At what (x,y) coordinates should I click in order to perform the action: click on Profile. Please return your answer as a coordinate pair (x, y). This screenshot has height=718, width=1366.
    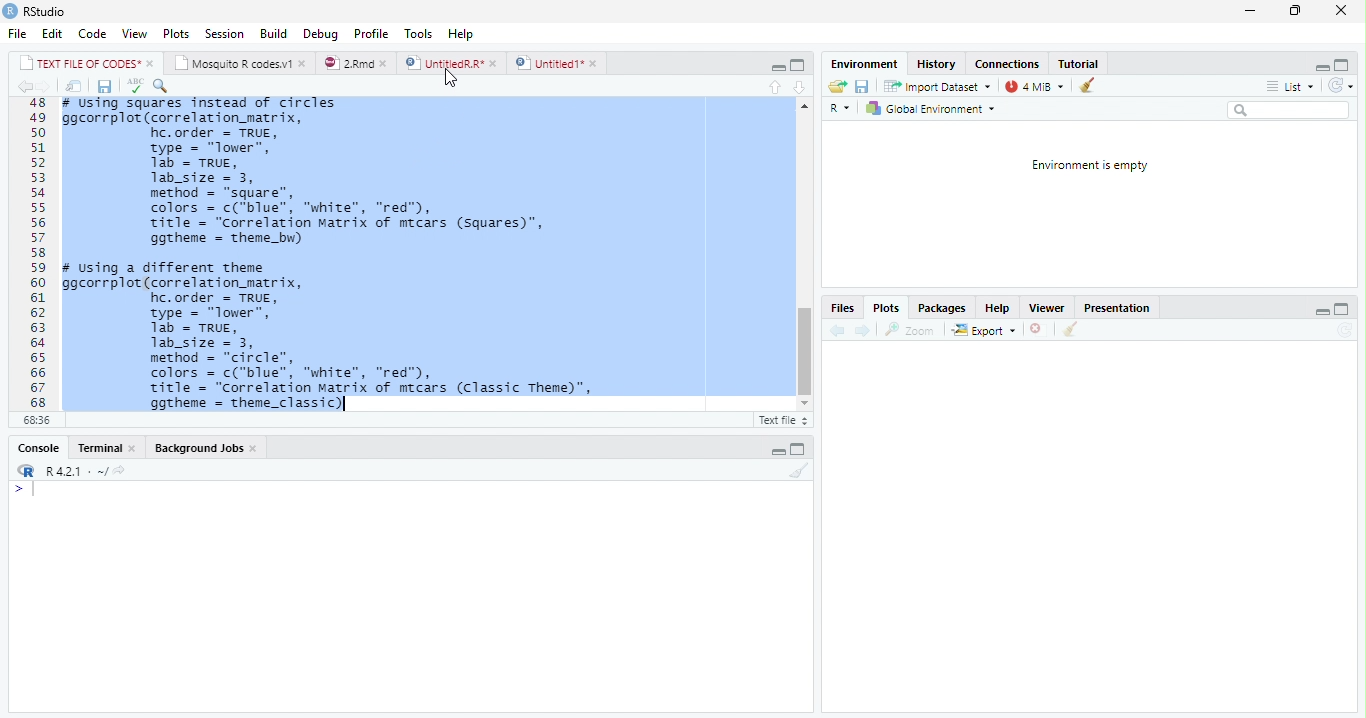
    Looking at the image, I should click on (370, 33).